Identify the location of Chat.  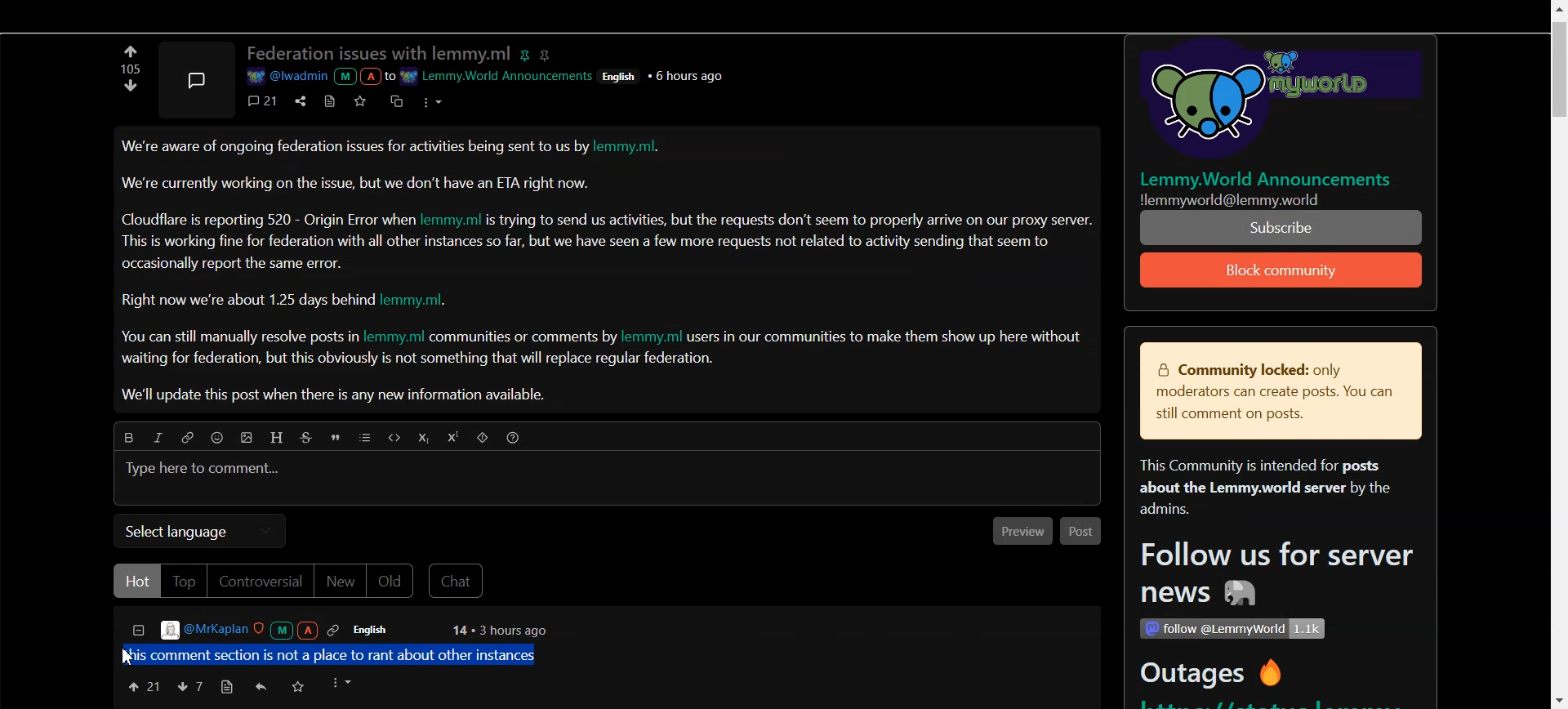
(459, 582).